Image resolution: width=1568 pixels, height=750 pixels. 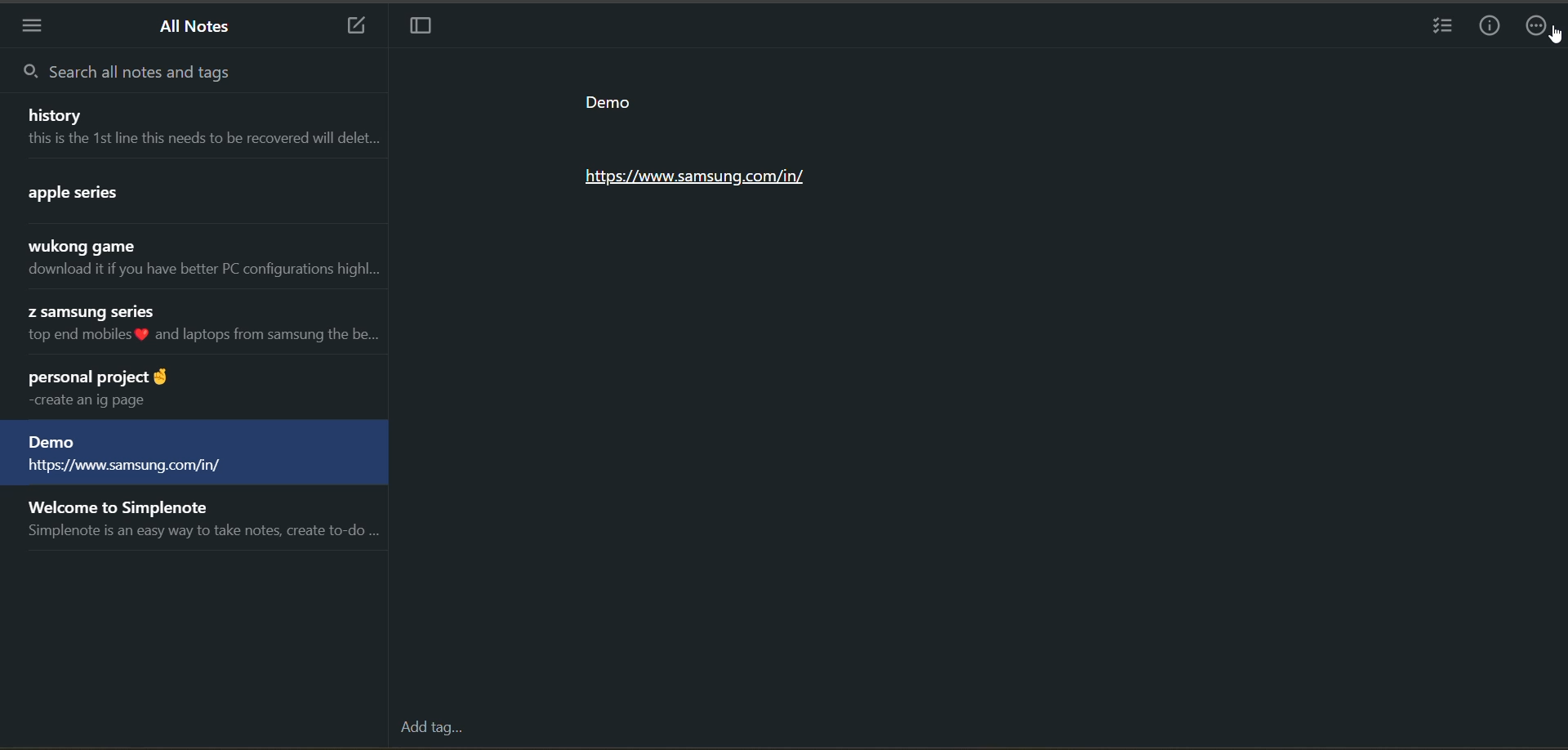 I want to click on data from current note, so click(x=718, y=147).